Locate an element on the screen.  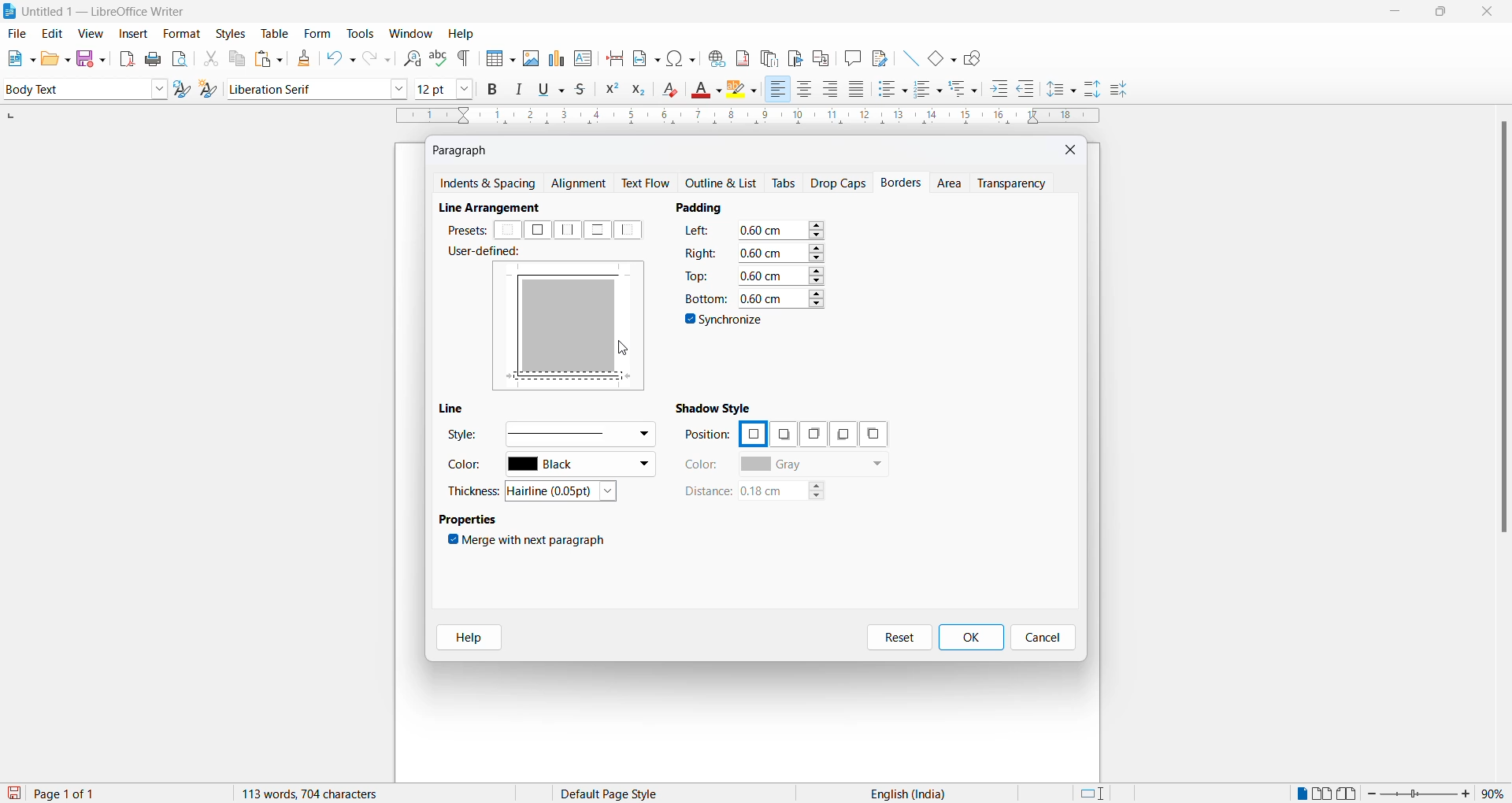
zoom slider is located at coordinates (1421, 794).